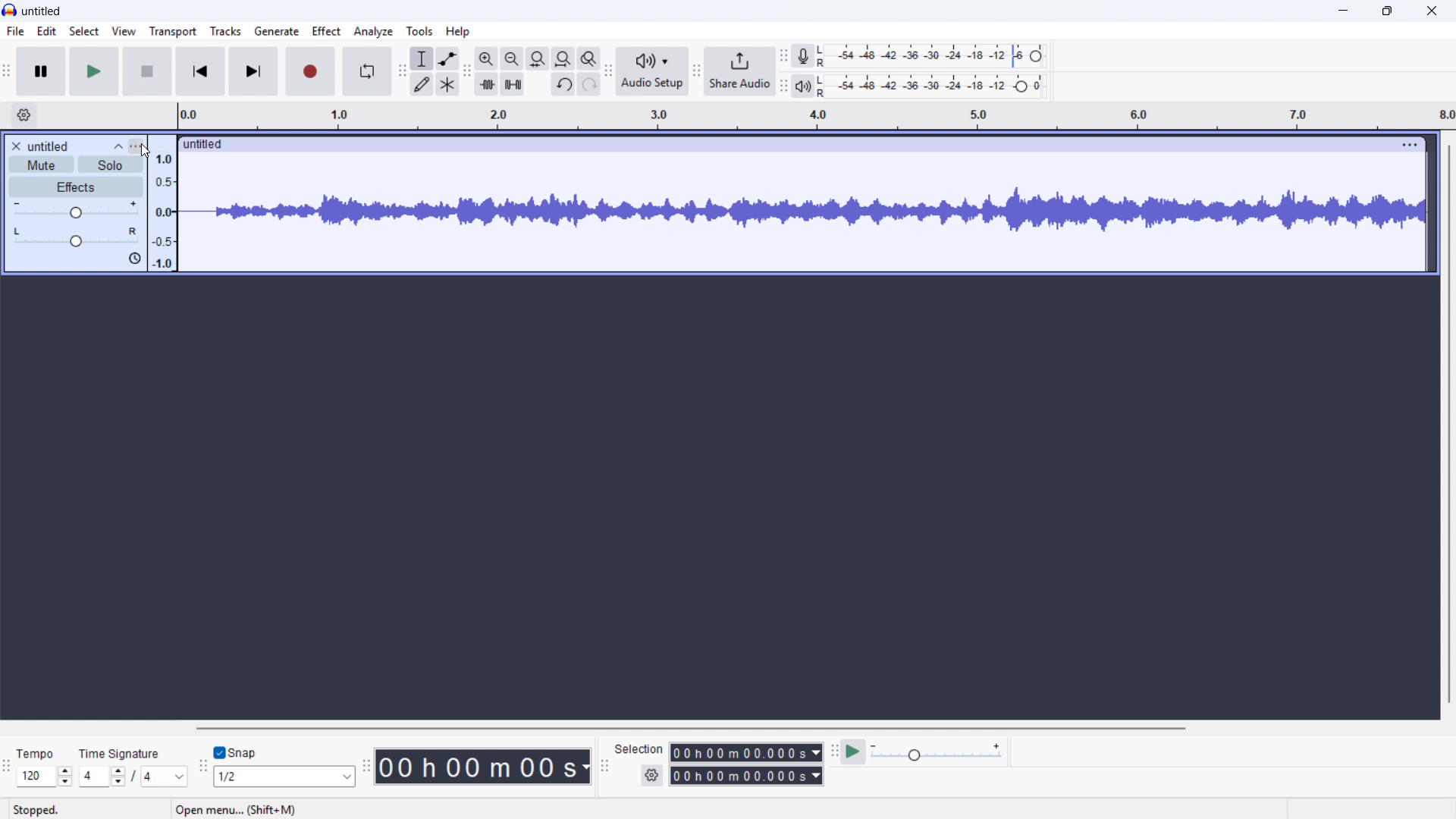 This screenshot has width=1456, height=819. I want to click on Edit toolbar , so click(467, 72).